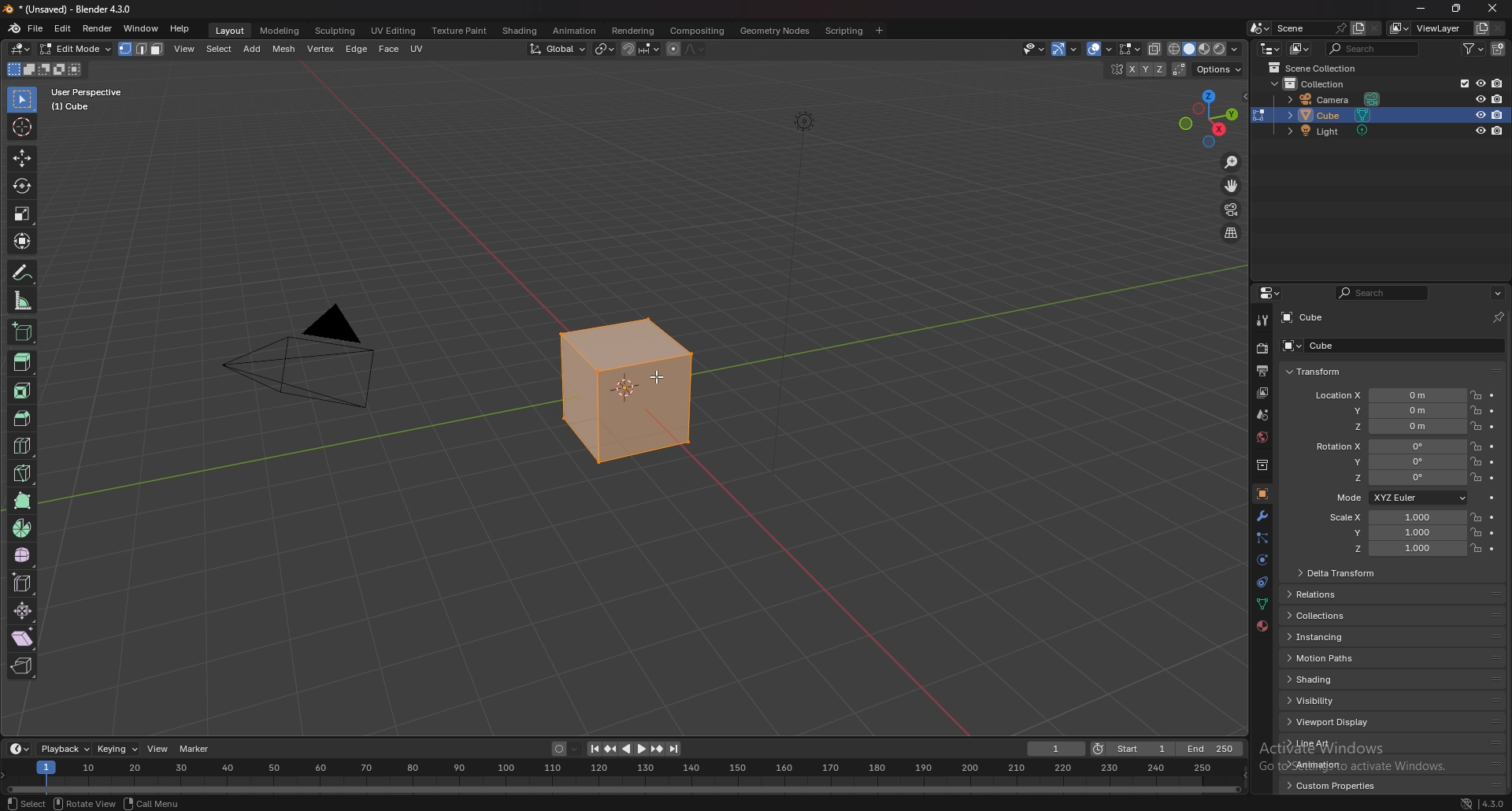 Image resolution: width=1512 pixels, height=811 pixels. I want to click on switch to perspective/orthographic, so click(1231, 234).